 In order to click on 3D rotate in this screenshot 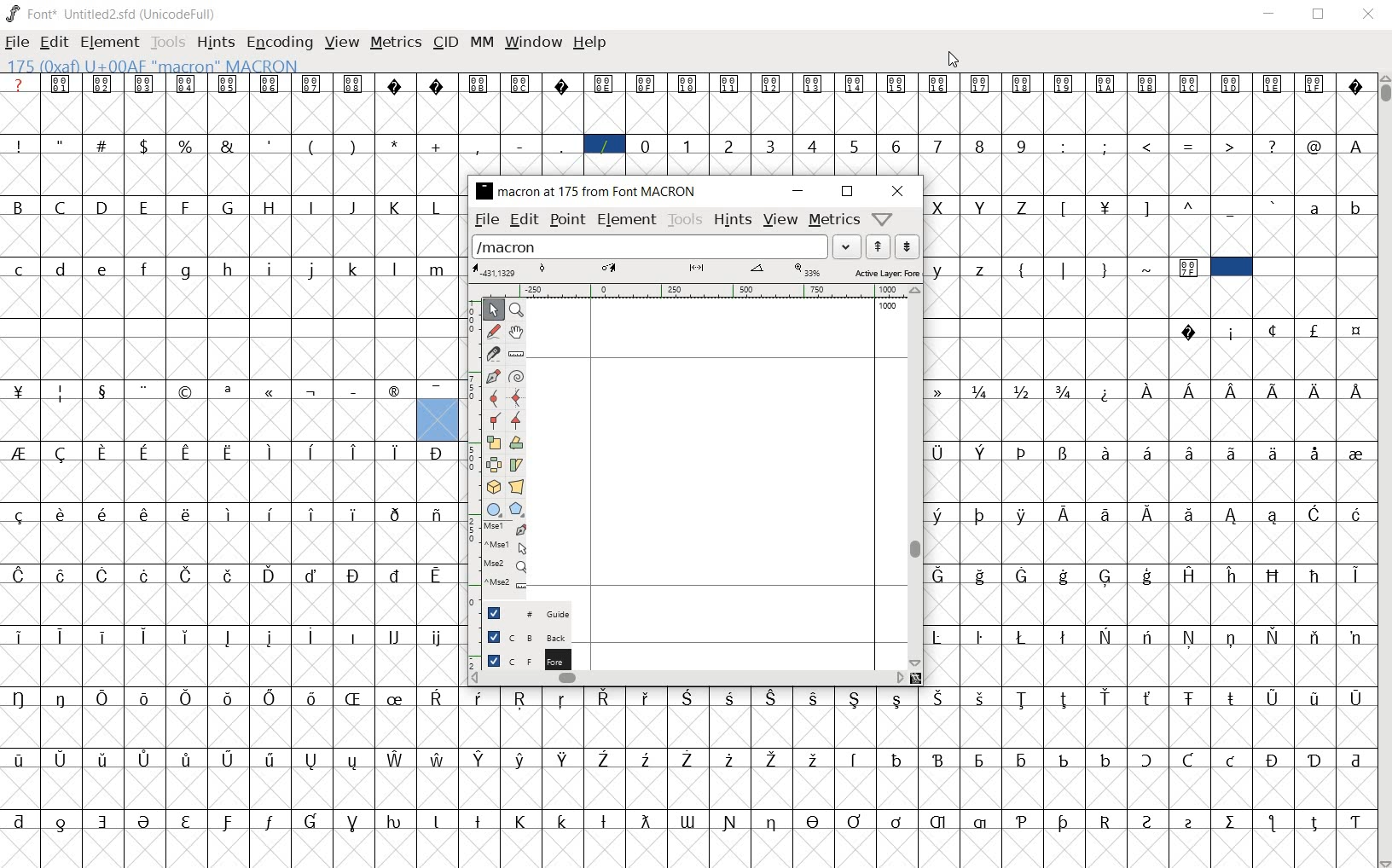, I will do `click(494, 485)`.